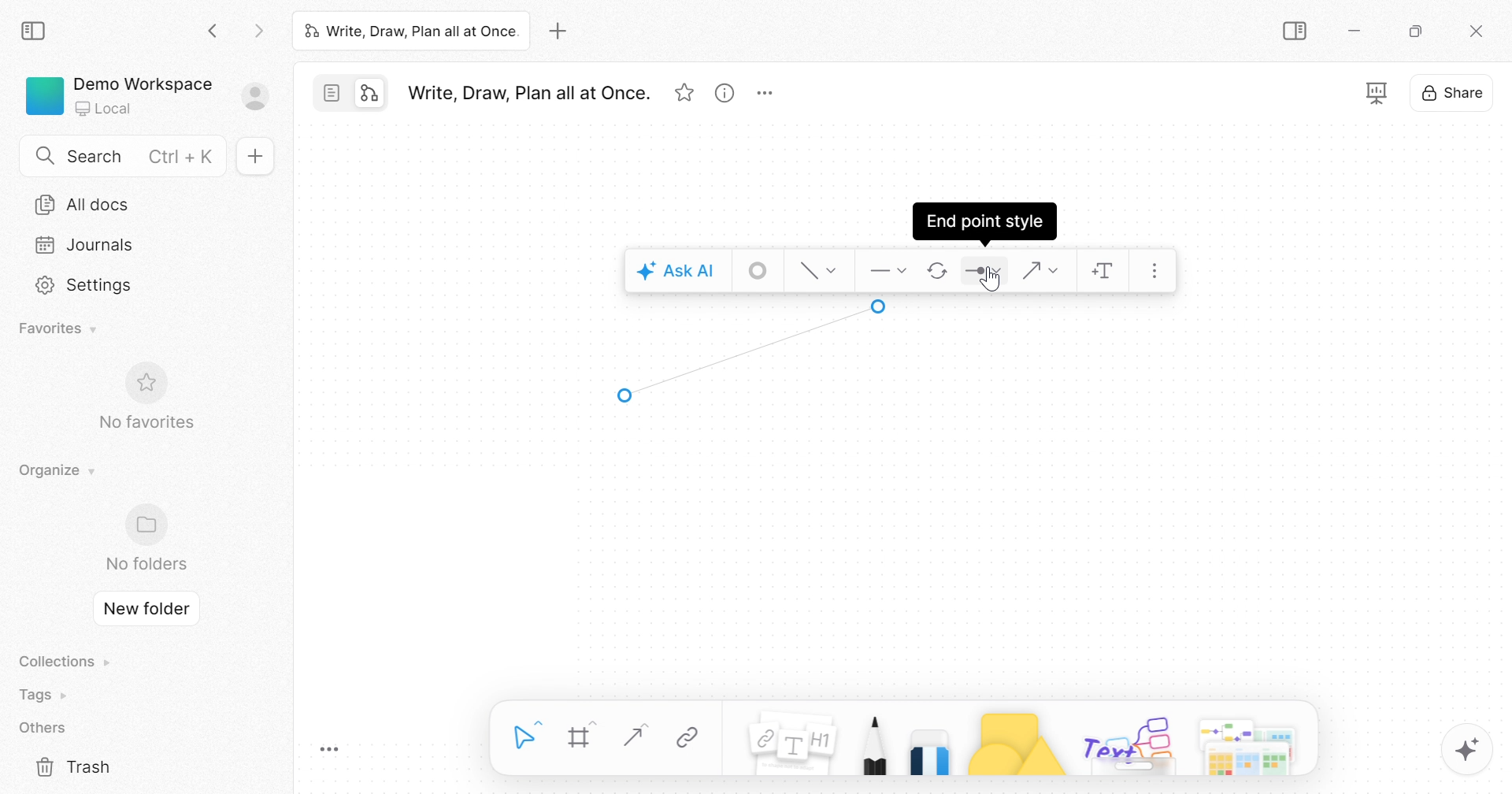 The image size is (1512, 794). I want to click on Demo Workspace, so click(142, 82).